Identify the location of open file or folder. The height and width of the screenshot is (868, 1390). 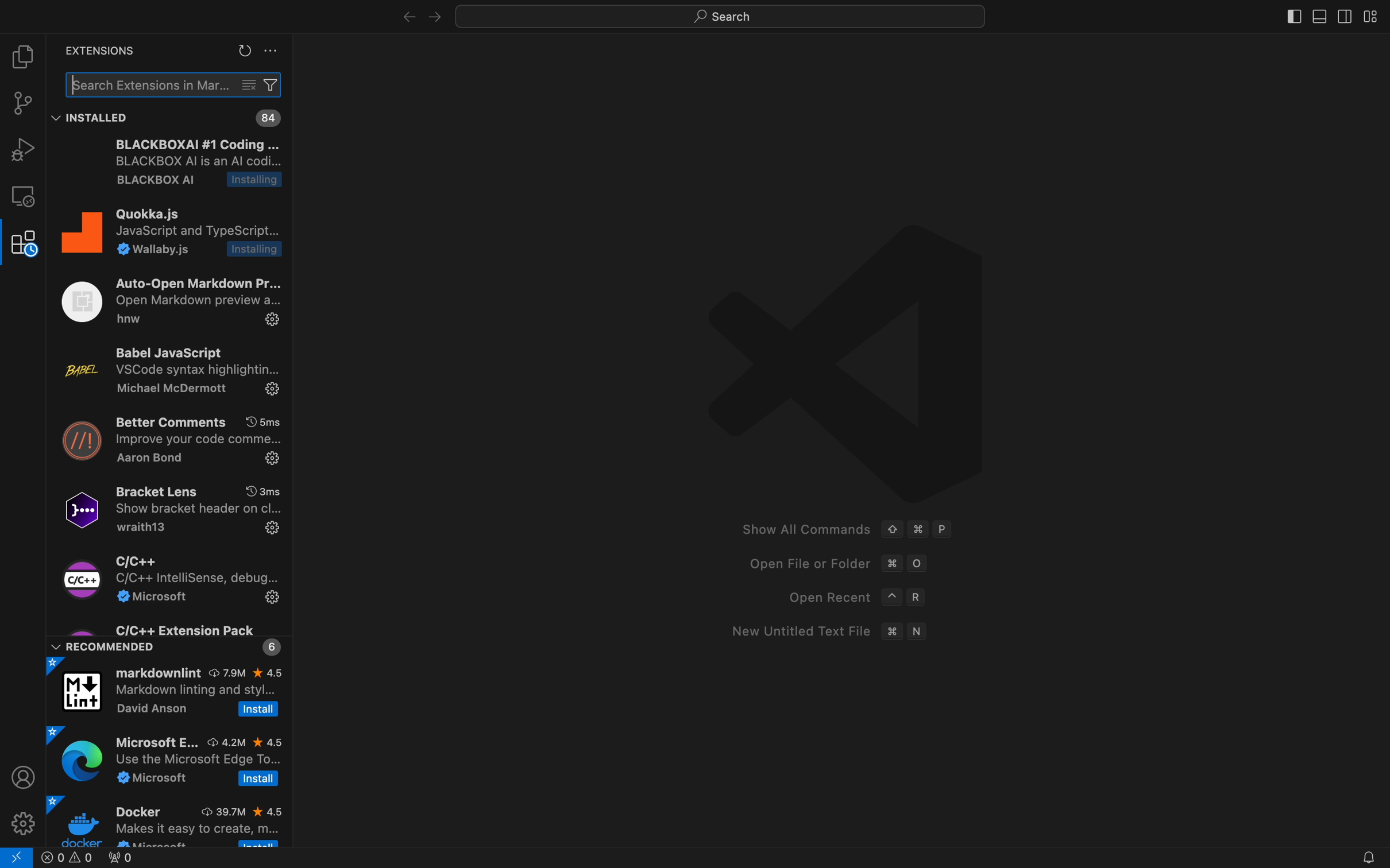
(829, 565).